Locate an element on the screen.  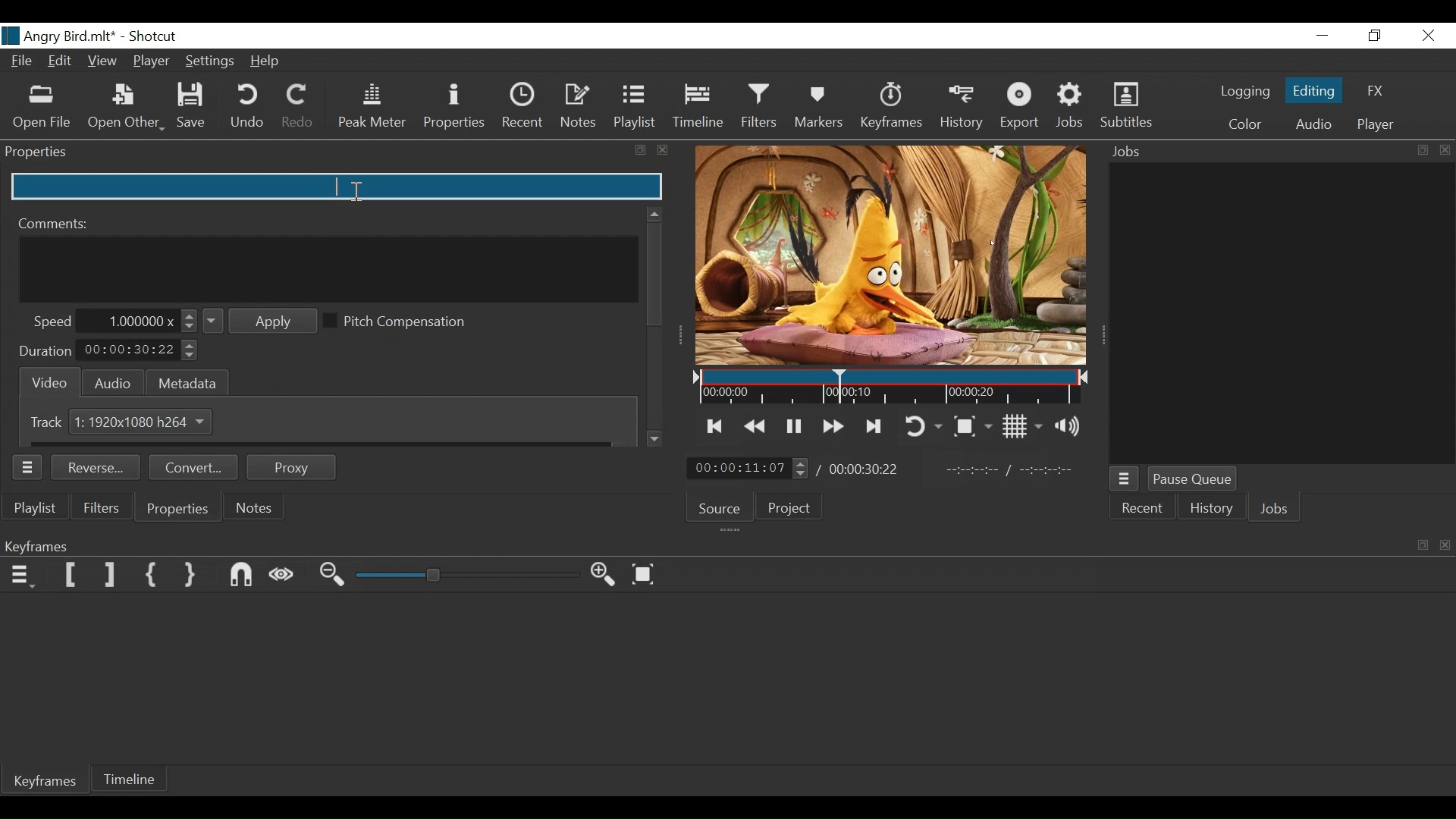
Vertical Scrollbar is located at coordinates (654, 274).